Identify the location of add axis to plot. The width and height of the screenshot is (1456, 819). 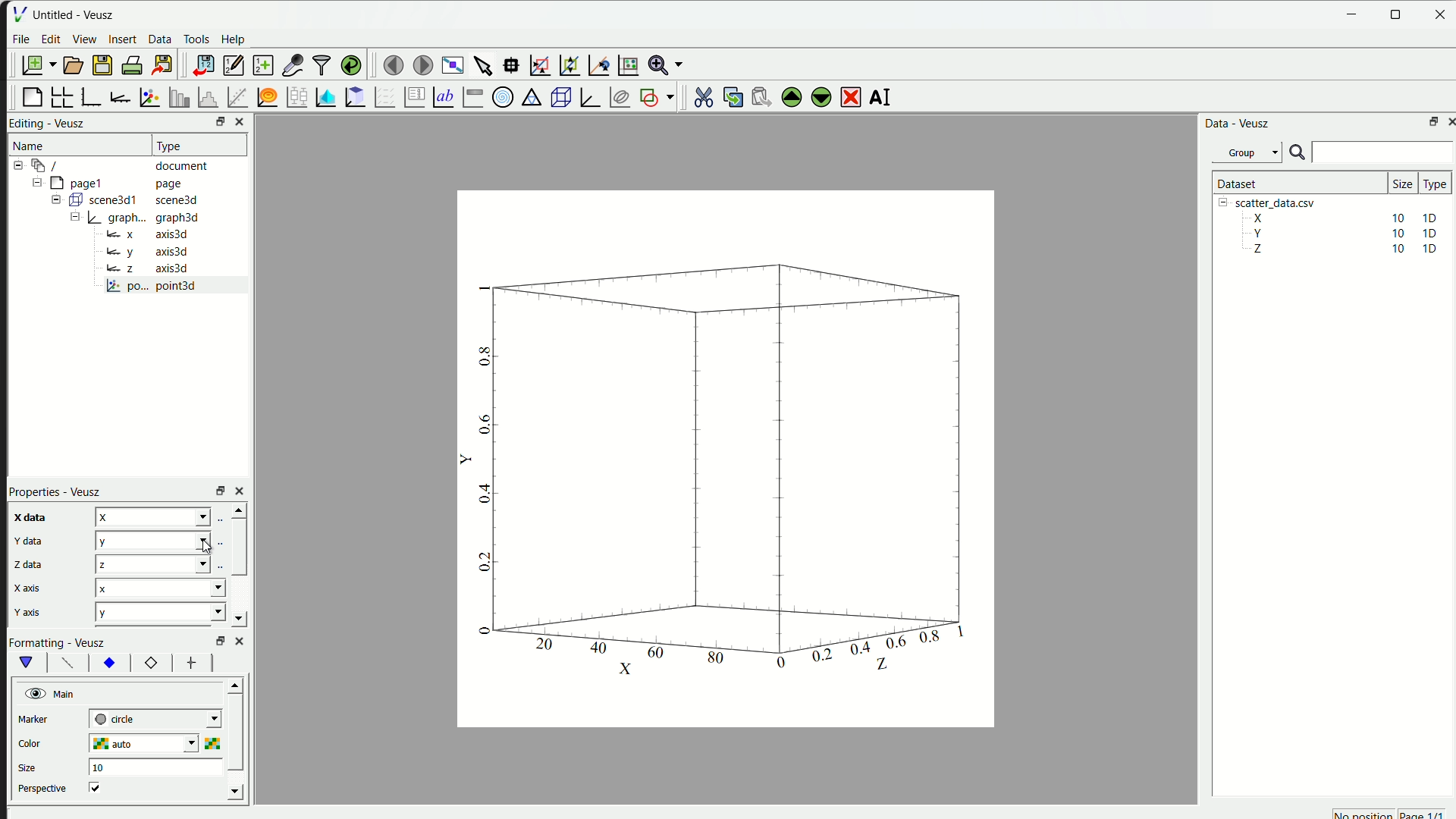
(118, 96).